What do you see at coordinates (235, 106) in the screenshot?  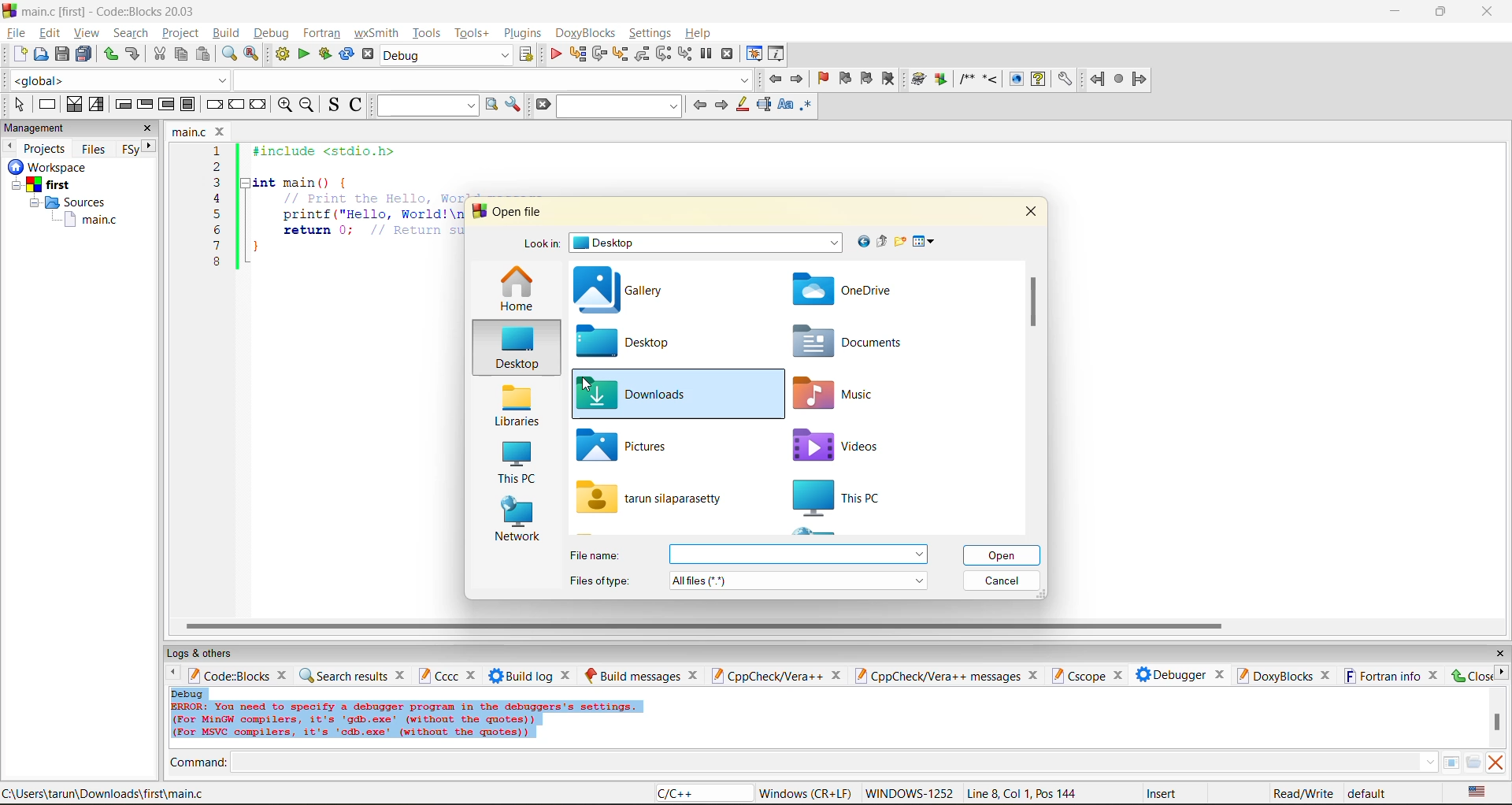 I see `continue instruction` at bounding box center [235, 106].